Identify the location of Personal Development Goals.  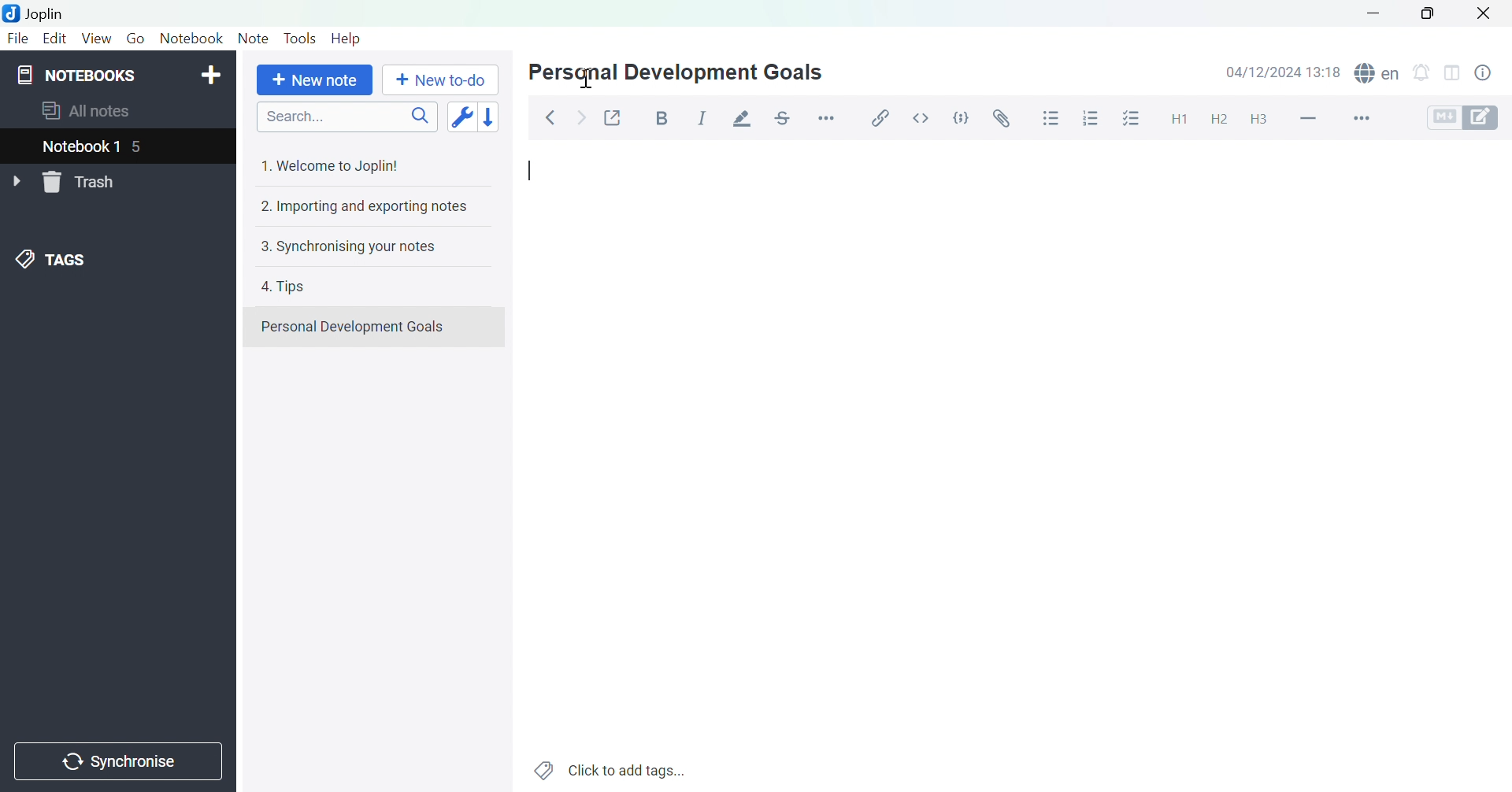
(353, 327).